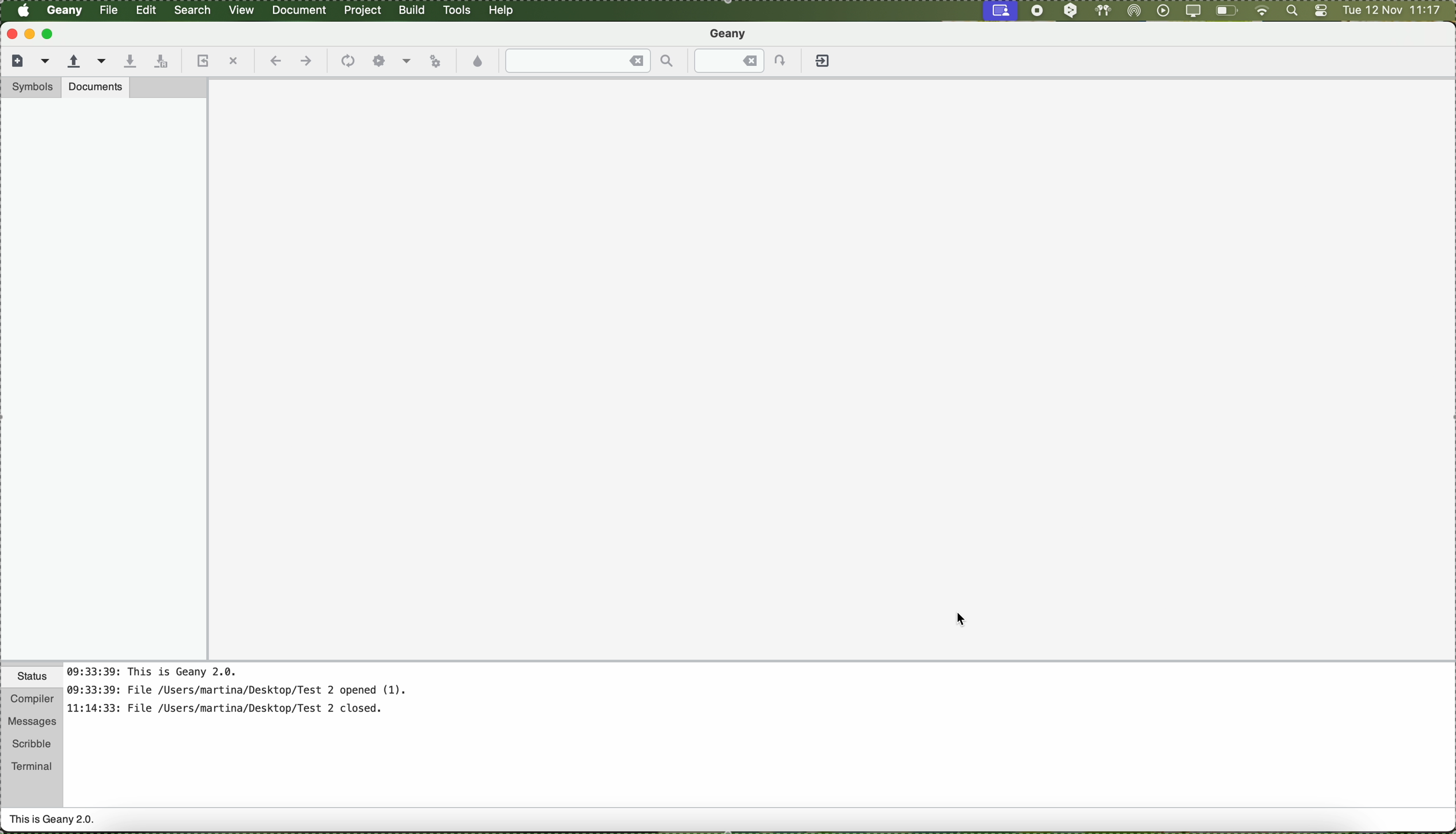 Image resolution: width=1456 pixels, height=834 pixels. Describe the element at coordinates (1227, 13) in the screenshot. I see `battery` at that location.